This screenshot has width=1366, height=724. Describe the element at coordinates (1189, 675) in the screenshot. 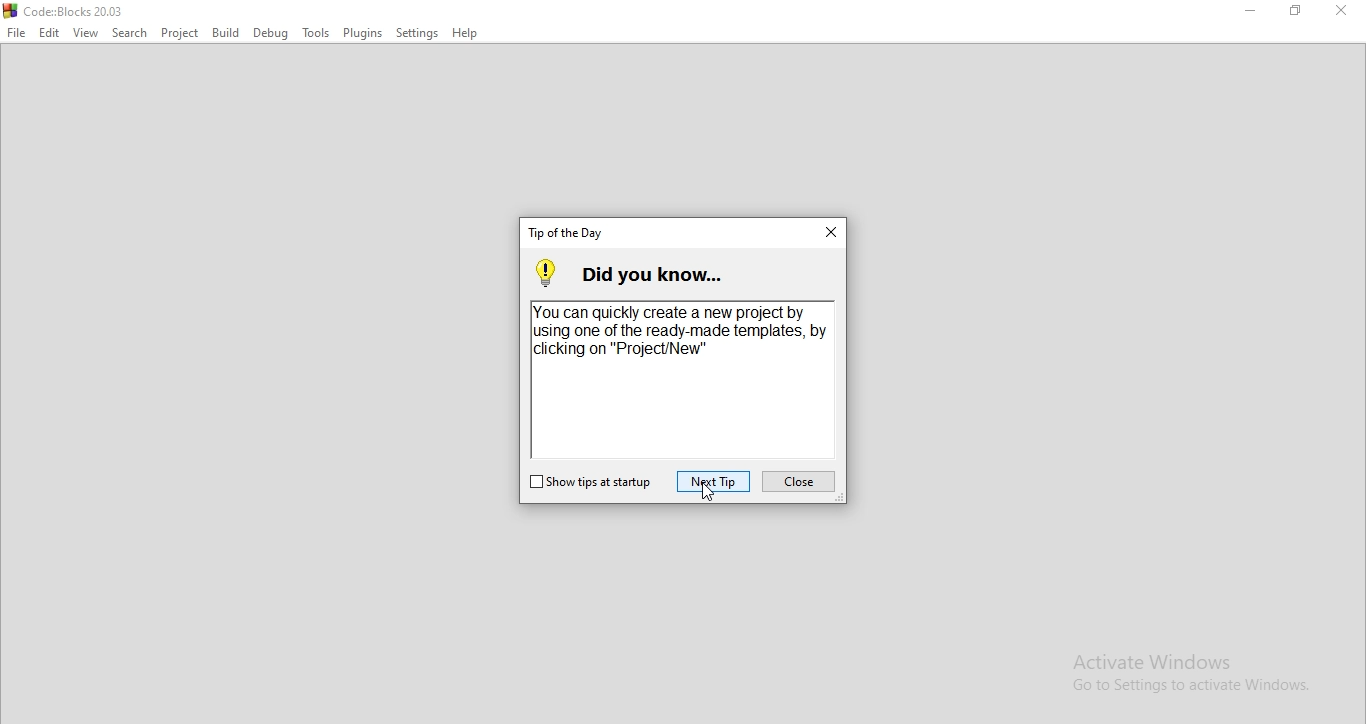

I see `Activate Windows` at that location.